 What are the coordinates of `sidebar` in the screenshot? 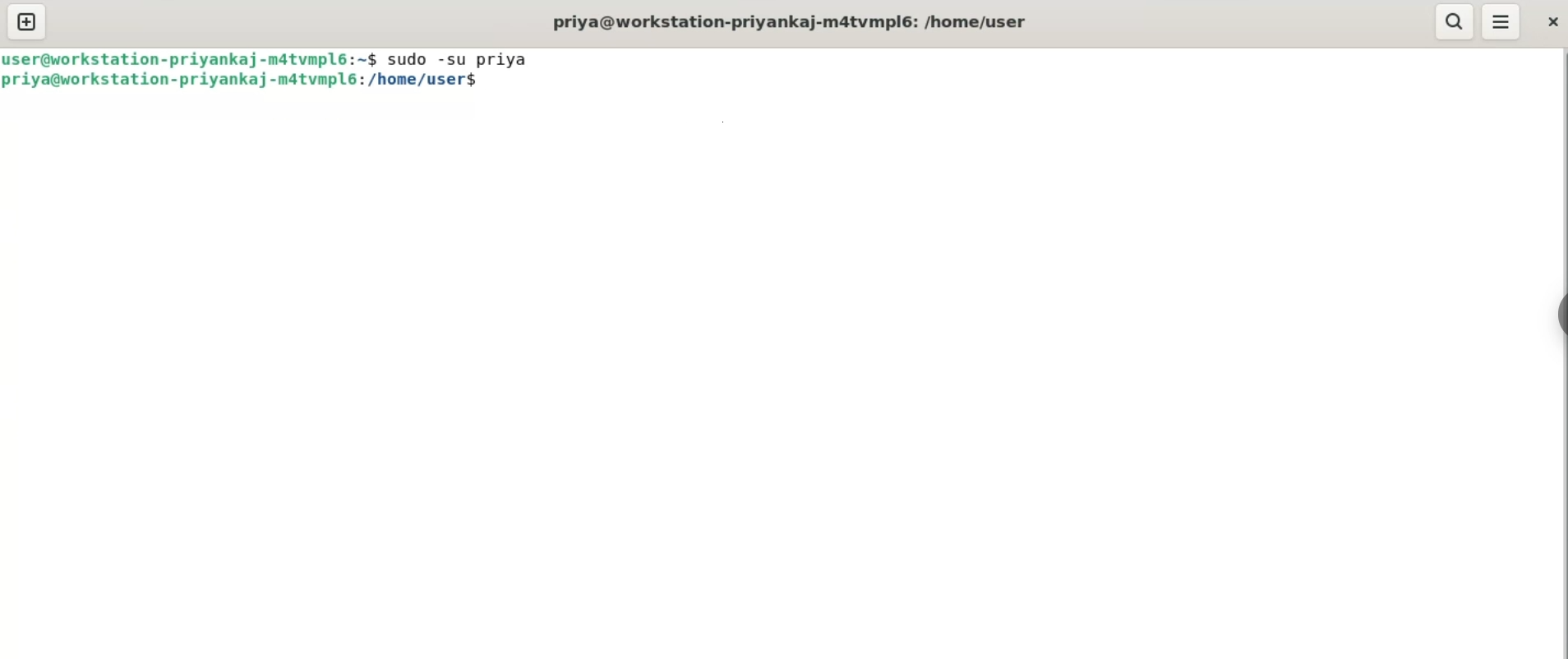 It's located at (1558, 316).